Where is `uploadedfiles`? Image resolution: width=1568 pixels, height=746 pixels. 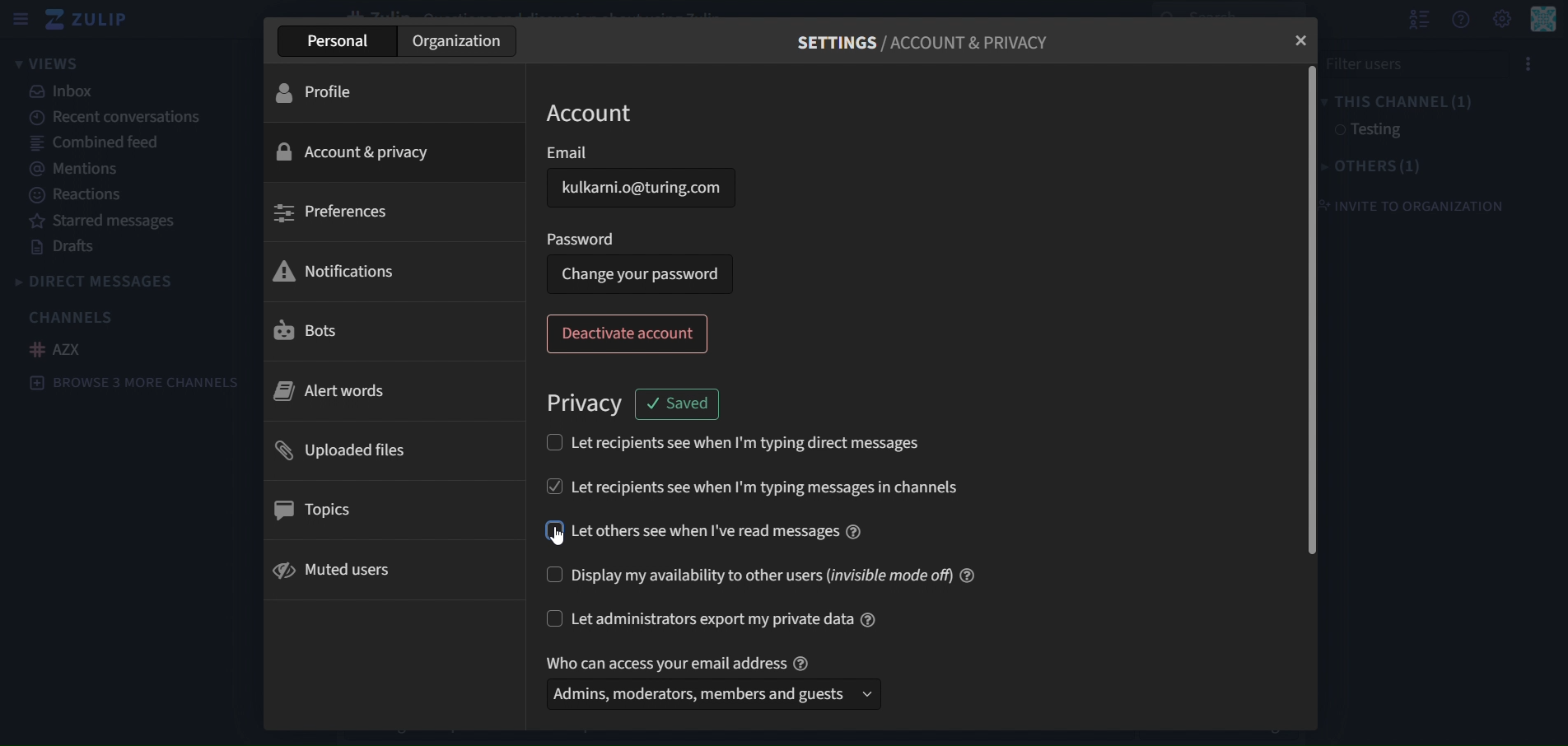 uploadedfiles is located at coordinates (347, 452).